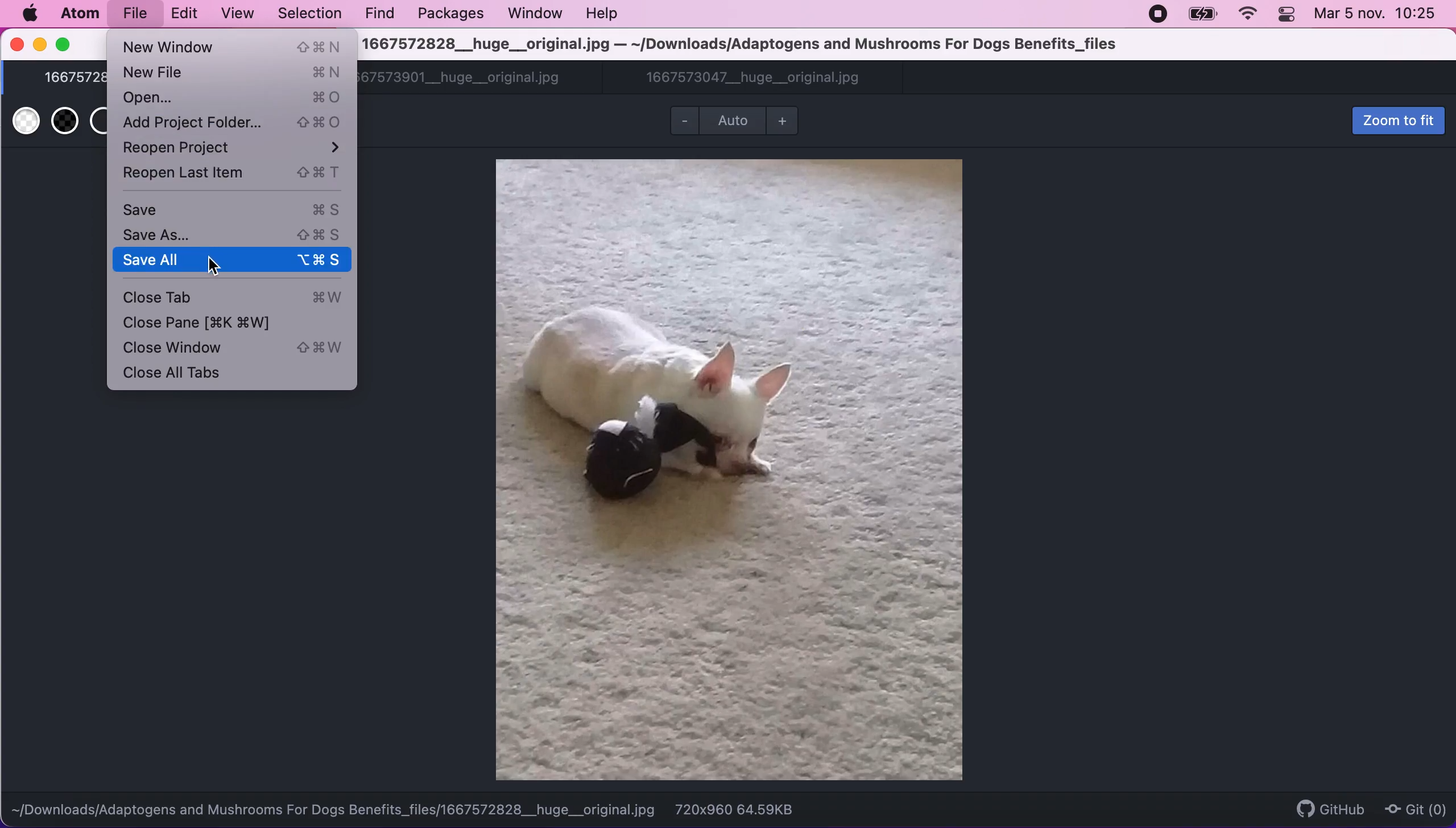 This screenshot has width=1456, height=828. Describe the element at coordinates (311, 14) in the screenshot. I see `selection` at that location.